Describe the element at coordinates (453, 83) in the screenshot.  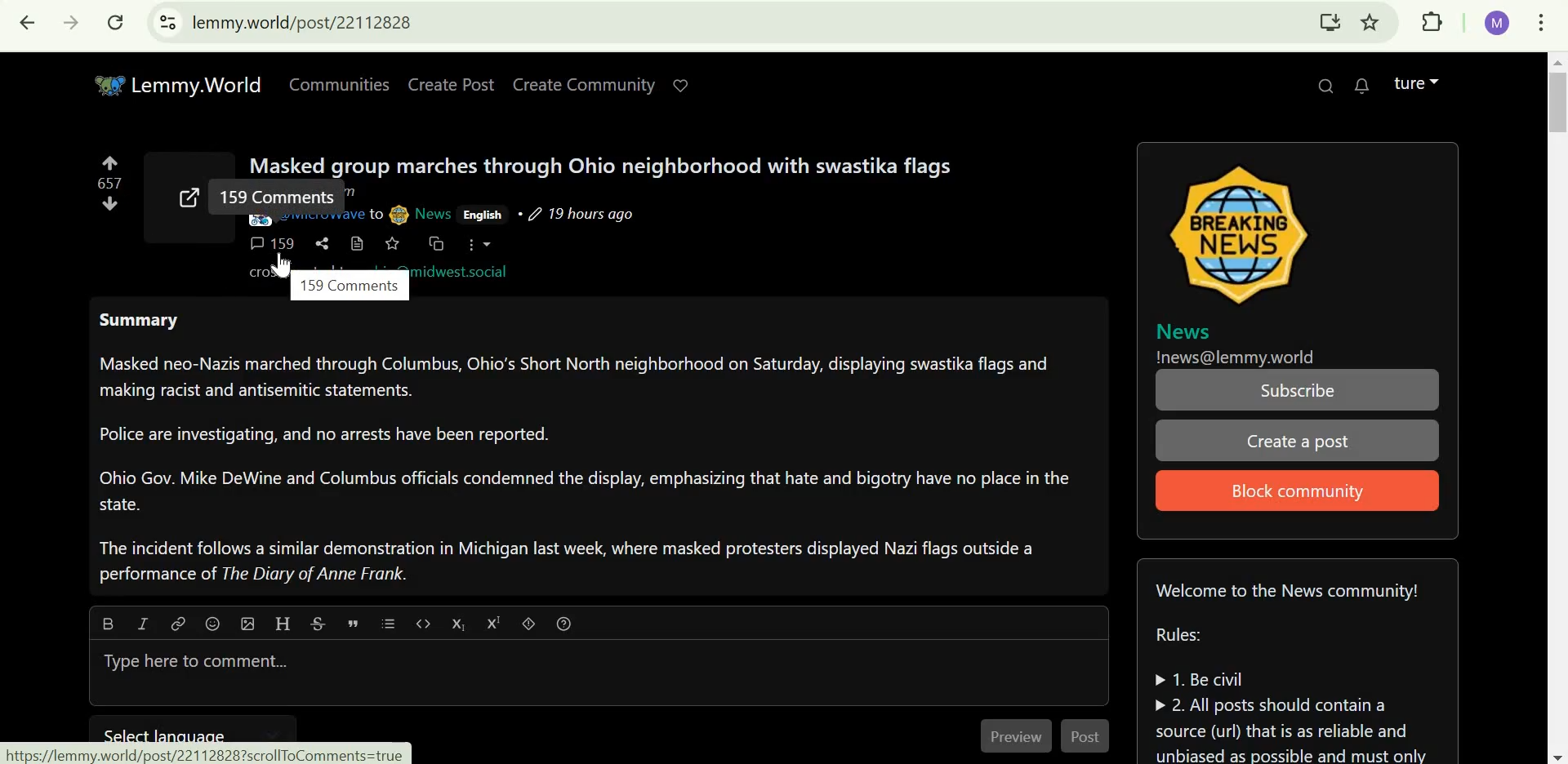
I see `Create Post` at that location.